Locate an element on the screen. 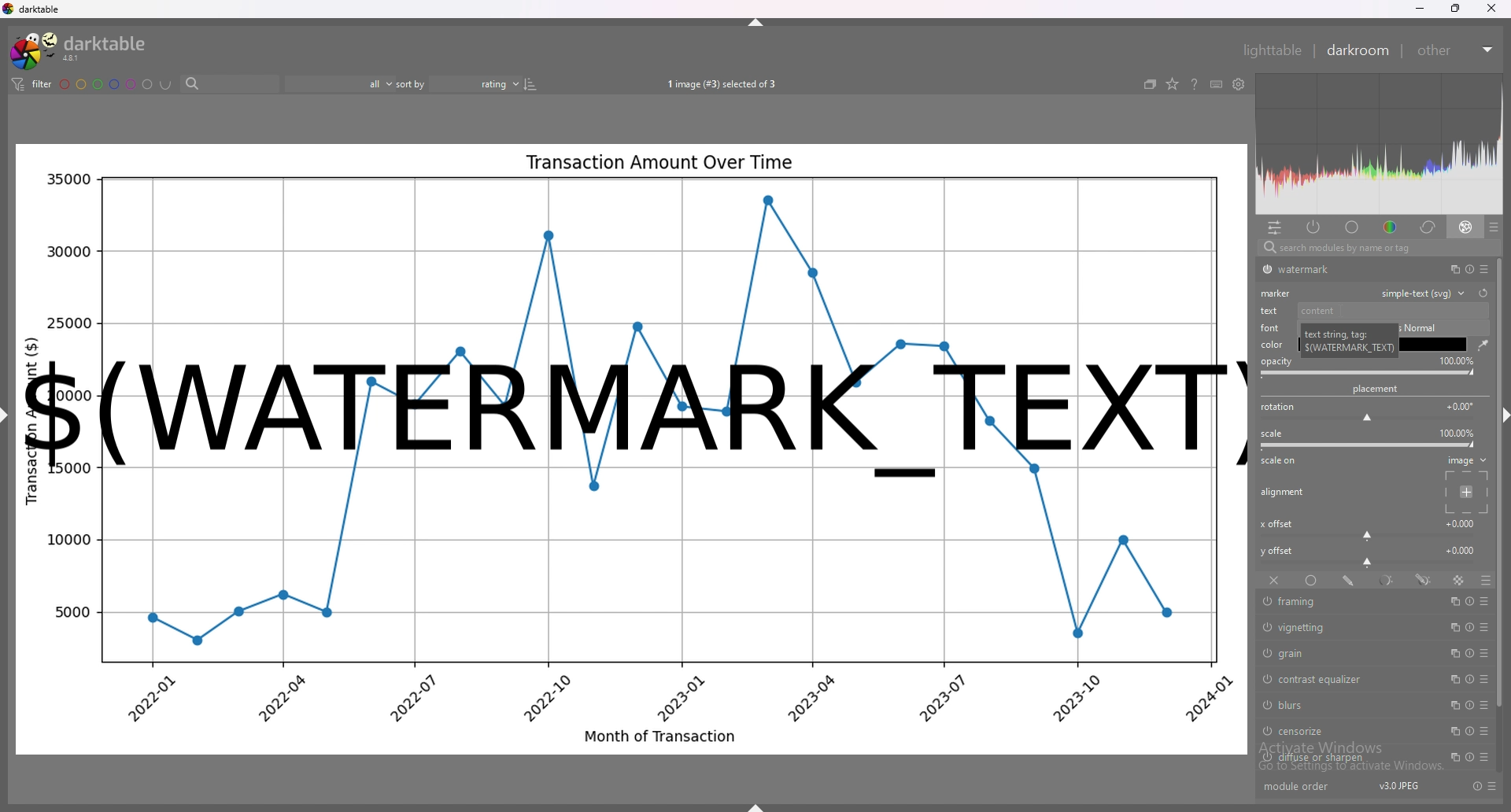 The image size is (1511, 812). opacity is located at coordinates (1276, 362).